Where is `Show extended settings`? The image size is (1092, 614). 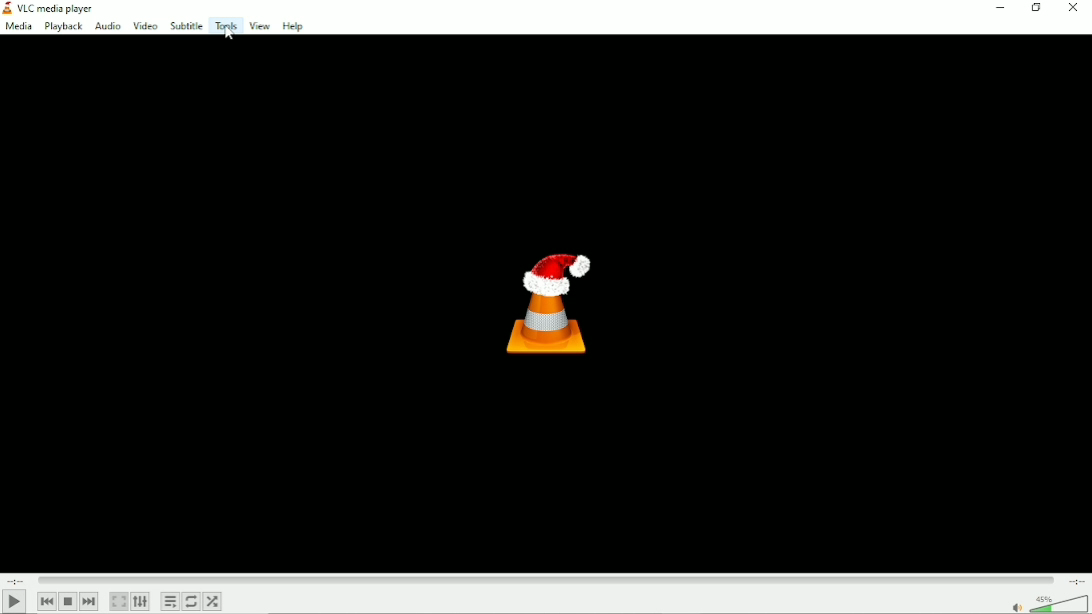
Show extended settings is located at coordinates (142, 602).